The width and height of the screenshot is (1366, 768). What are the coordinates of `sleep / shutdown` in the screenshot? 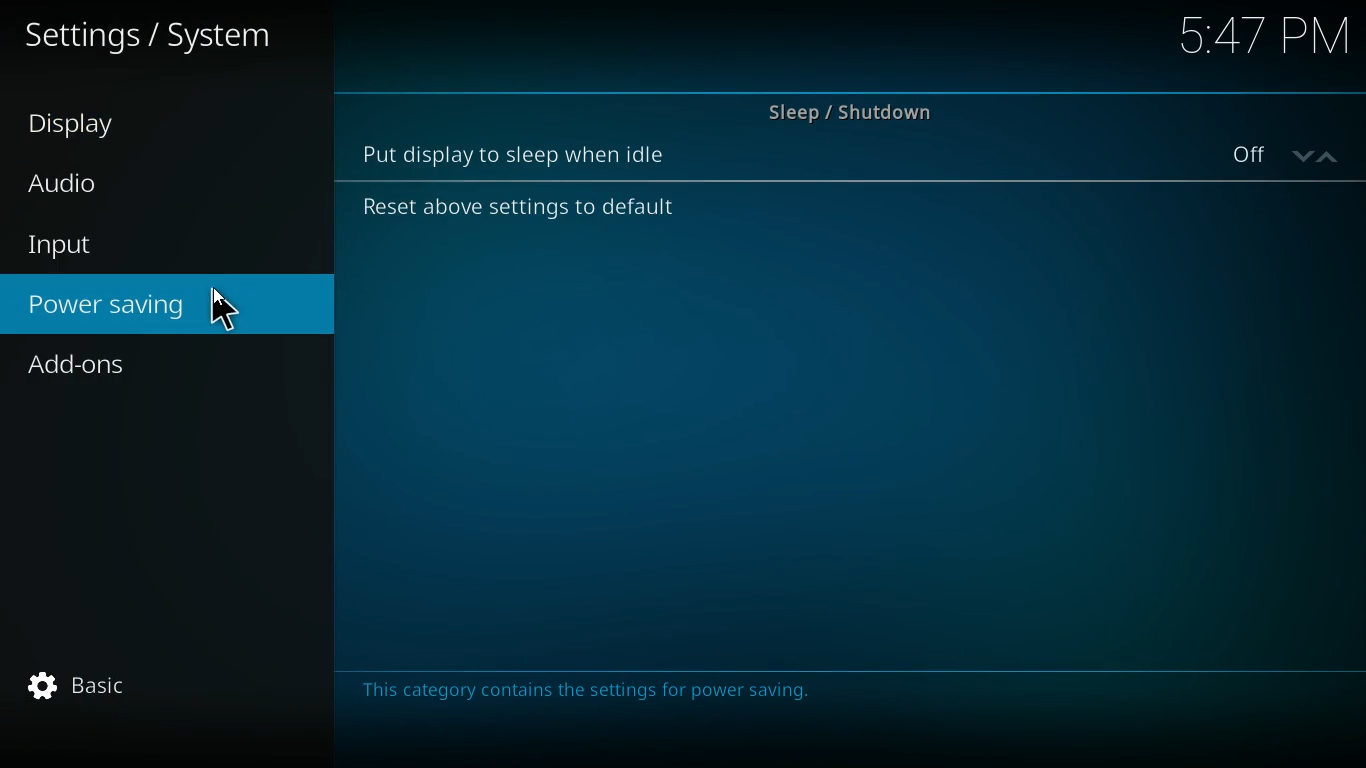 It's located at (848, 106).